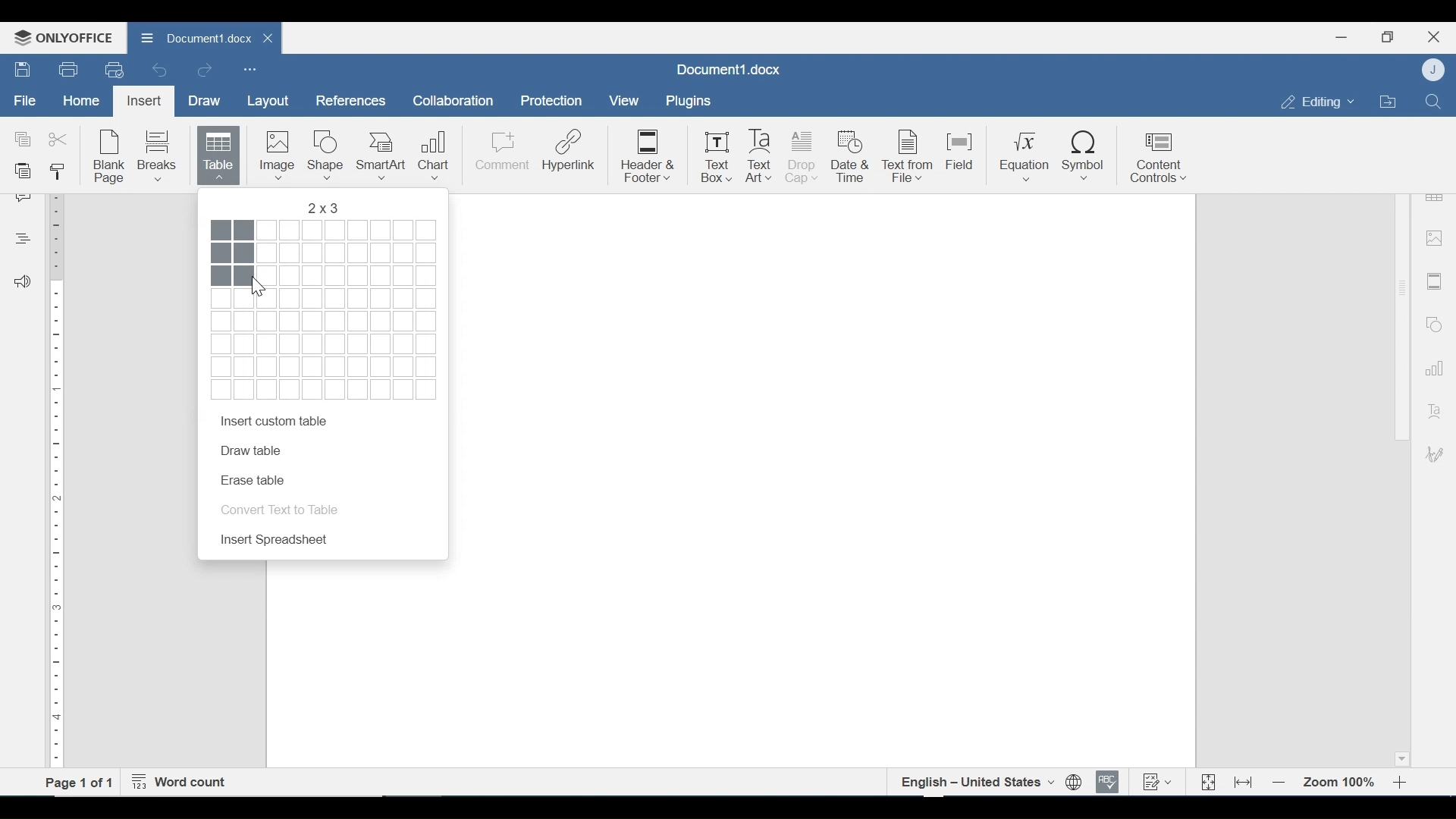 The height and width of the screenshot is (819, 1456). What do you see at coordinates (80, 782) in the screenshot?
I see `Page 1 of 1` at bounding box center [80, 782].